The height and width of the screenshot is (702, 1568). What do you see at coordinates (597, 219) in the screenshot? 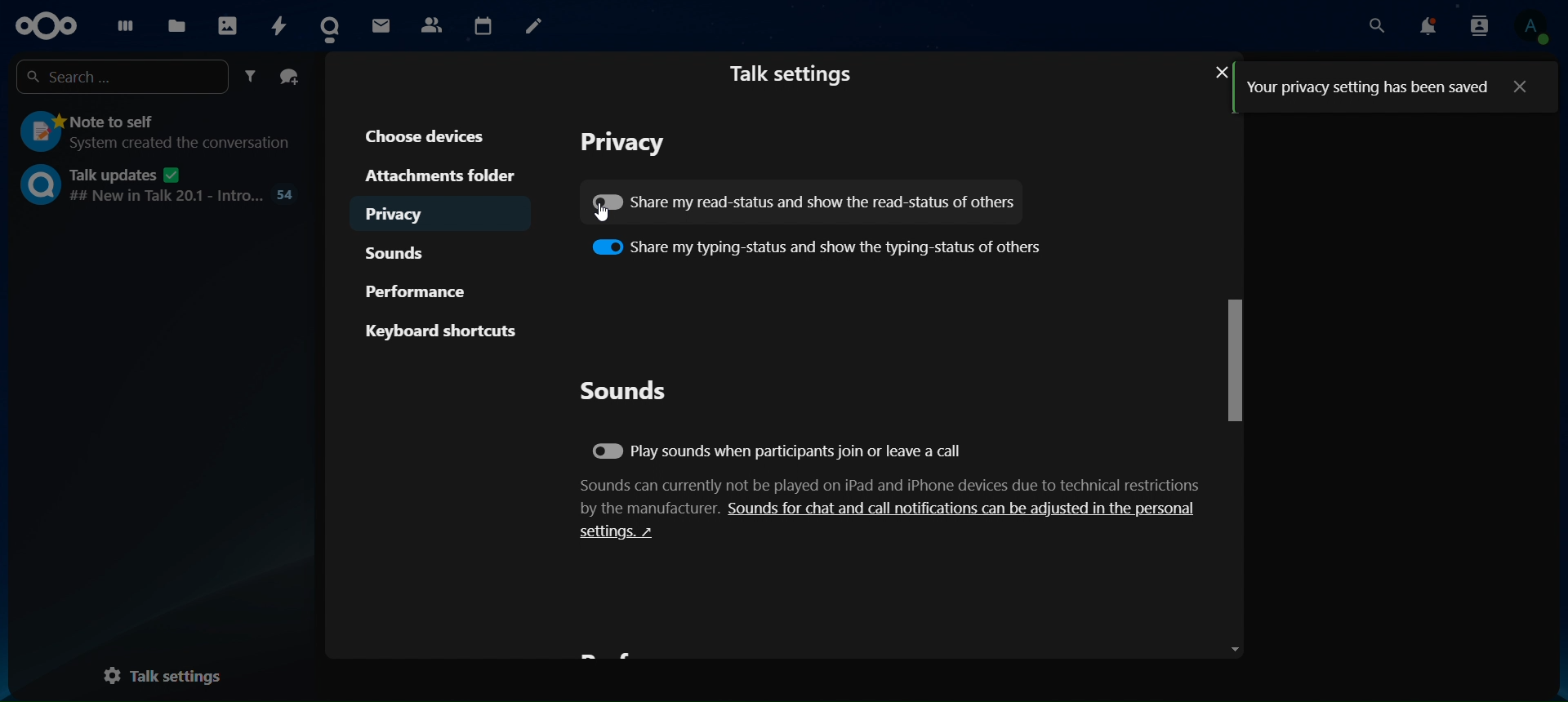
I see `Cursor` at bounding box center [597, 219].